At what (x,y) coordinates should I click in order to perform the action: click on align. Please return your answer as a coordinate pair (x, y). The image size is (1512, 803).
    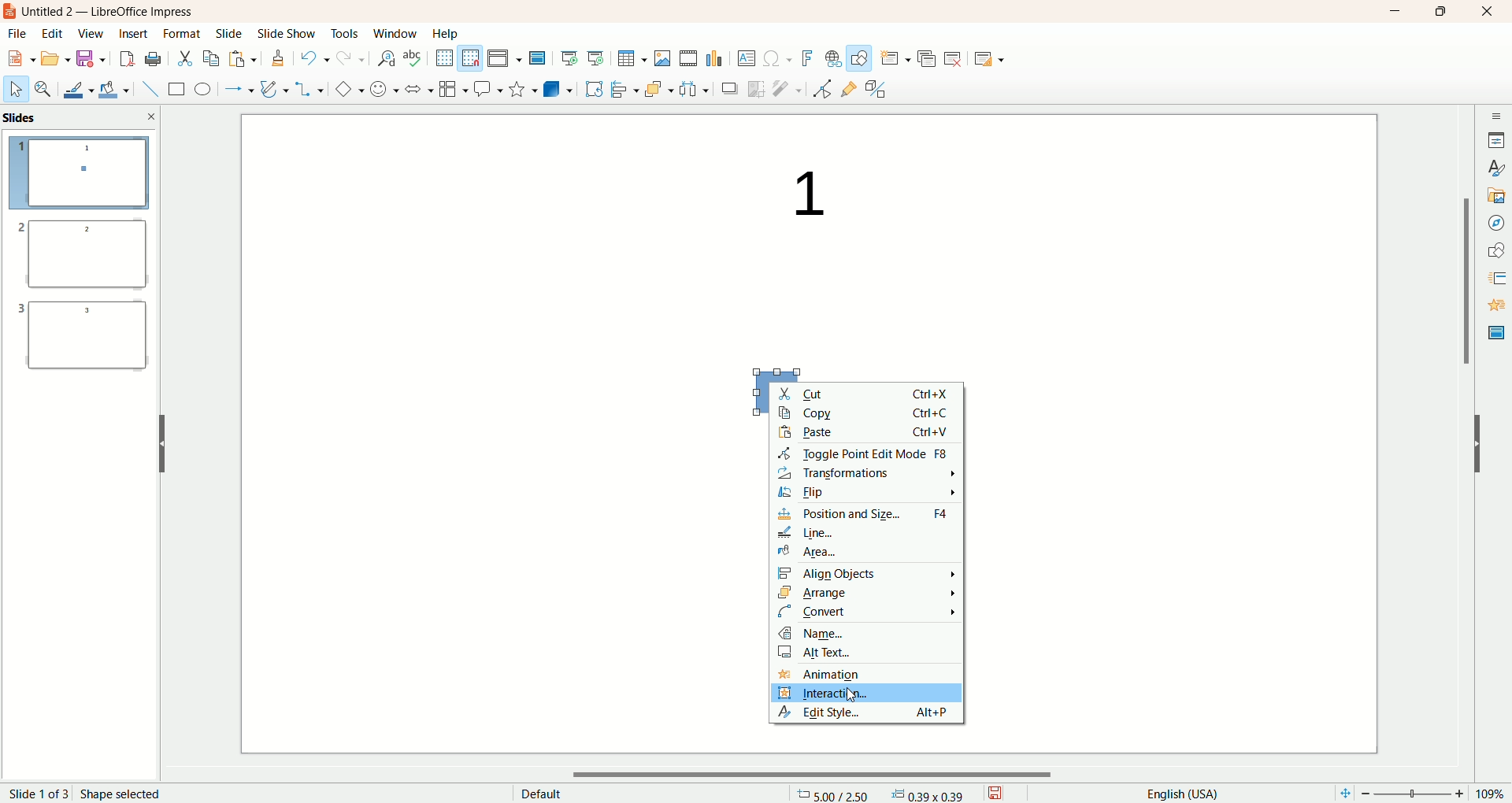
    Looking at the image, I should click on (623, 87).